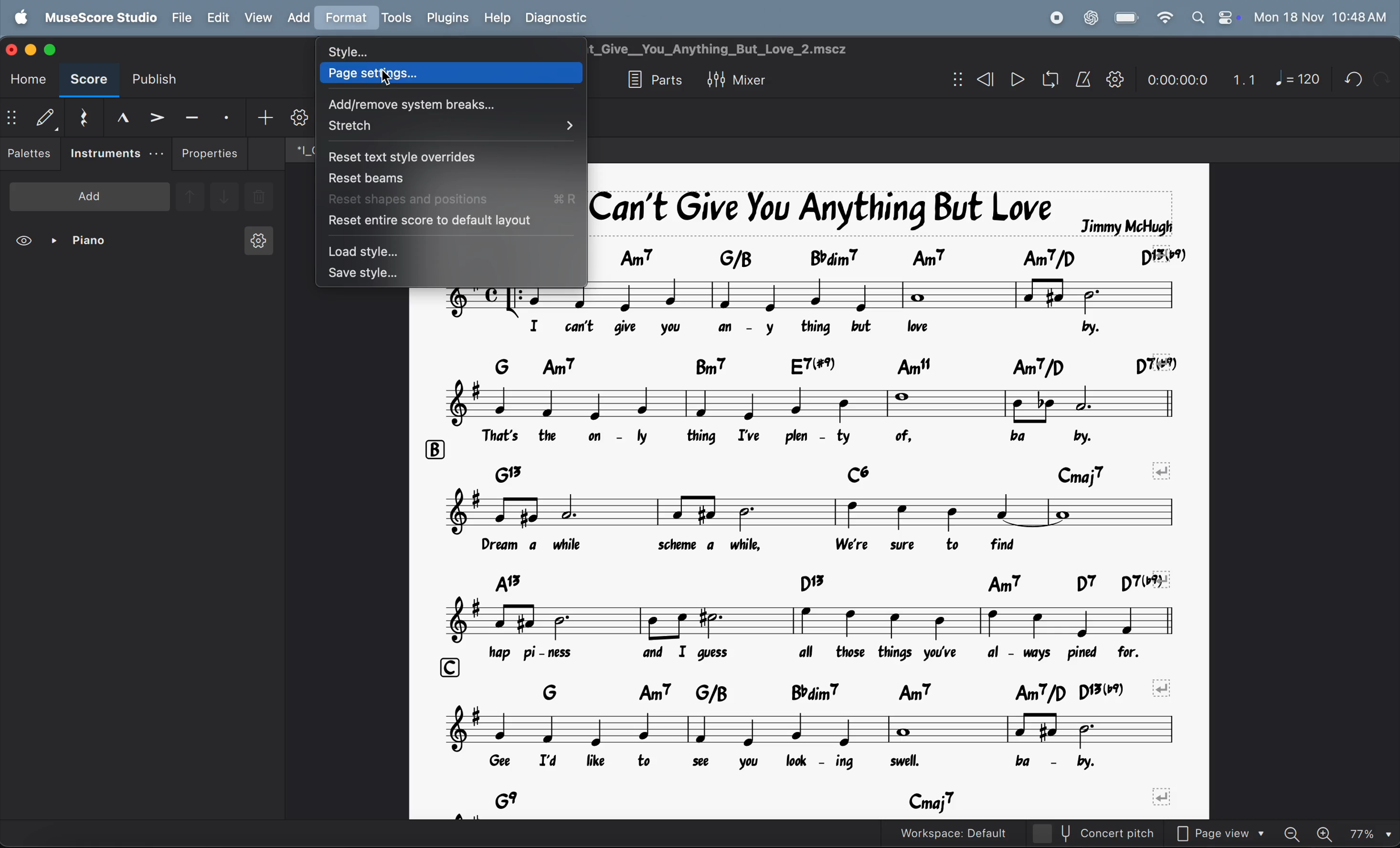  Describe the element at coordinates (1056, 18) in the screenshot. I see `record` at that location.